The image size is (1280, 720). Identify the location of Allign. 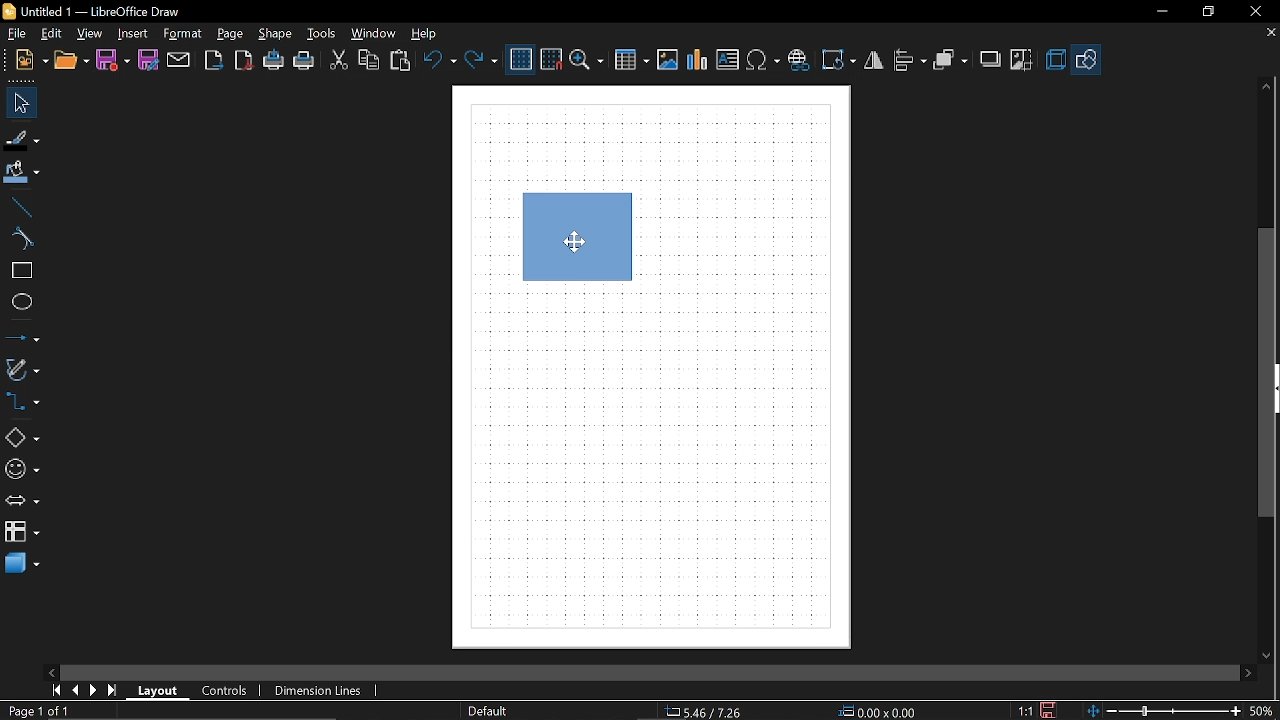
(910, 61).